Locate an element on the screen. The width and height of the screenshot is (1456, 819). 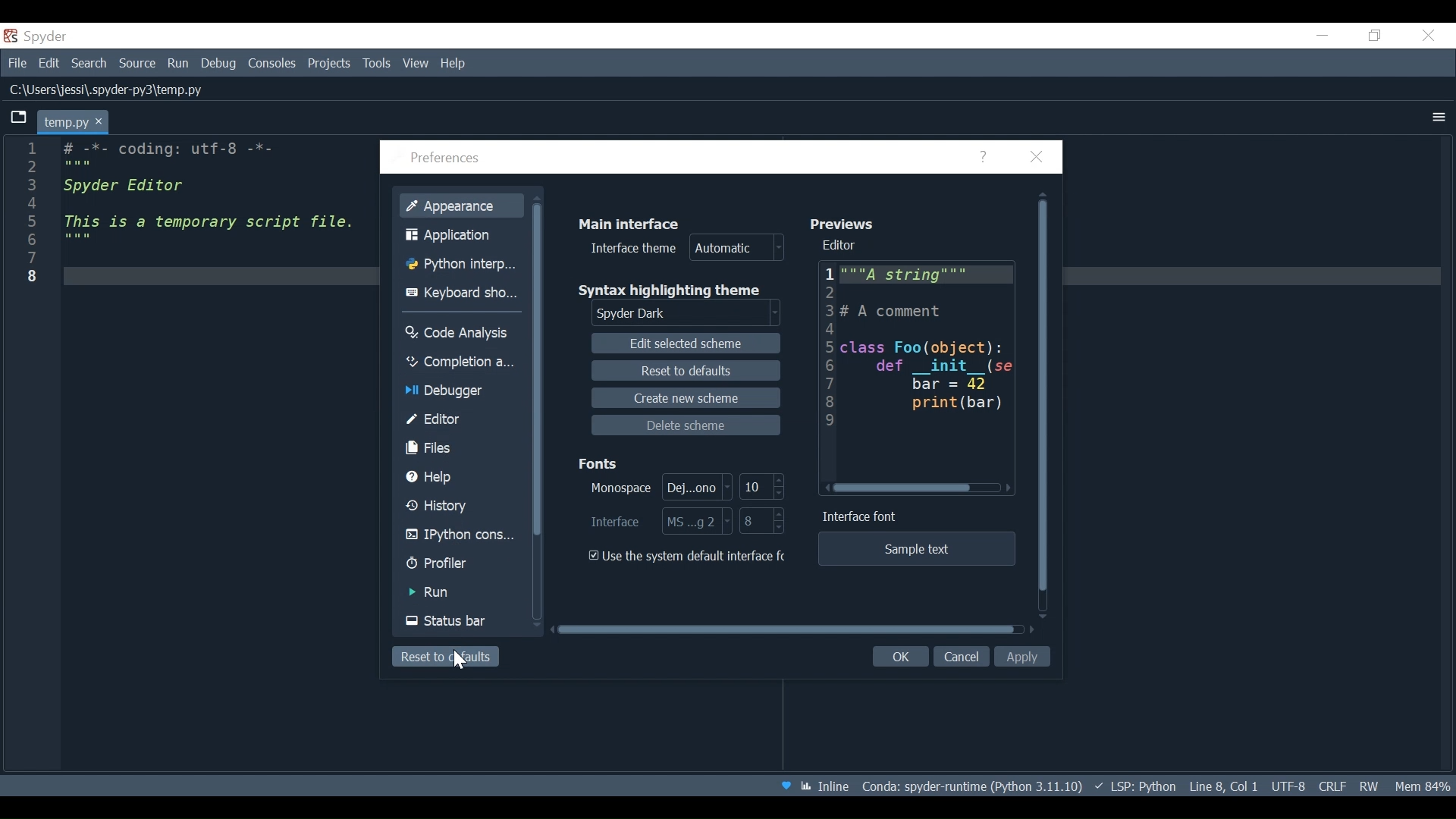
File is located at coordinates (17, 64).